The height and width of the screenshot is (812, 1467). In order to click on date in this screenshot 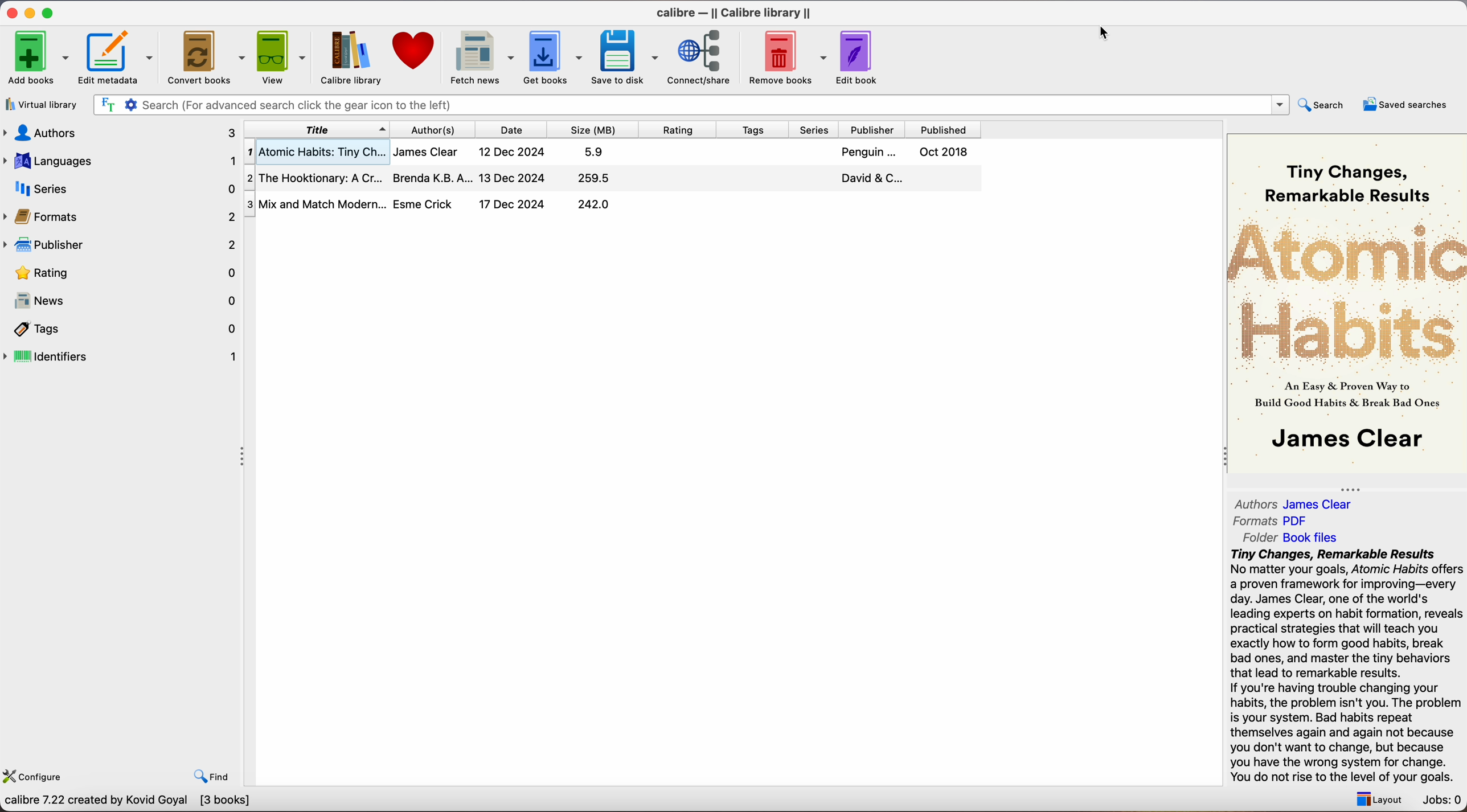, I will do `click(517, 130)`.